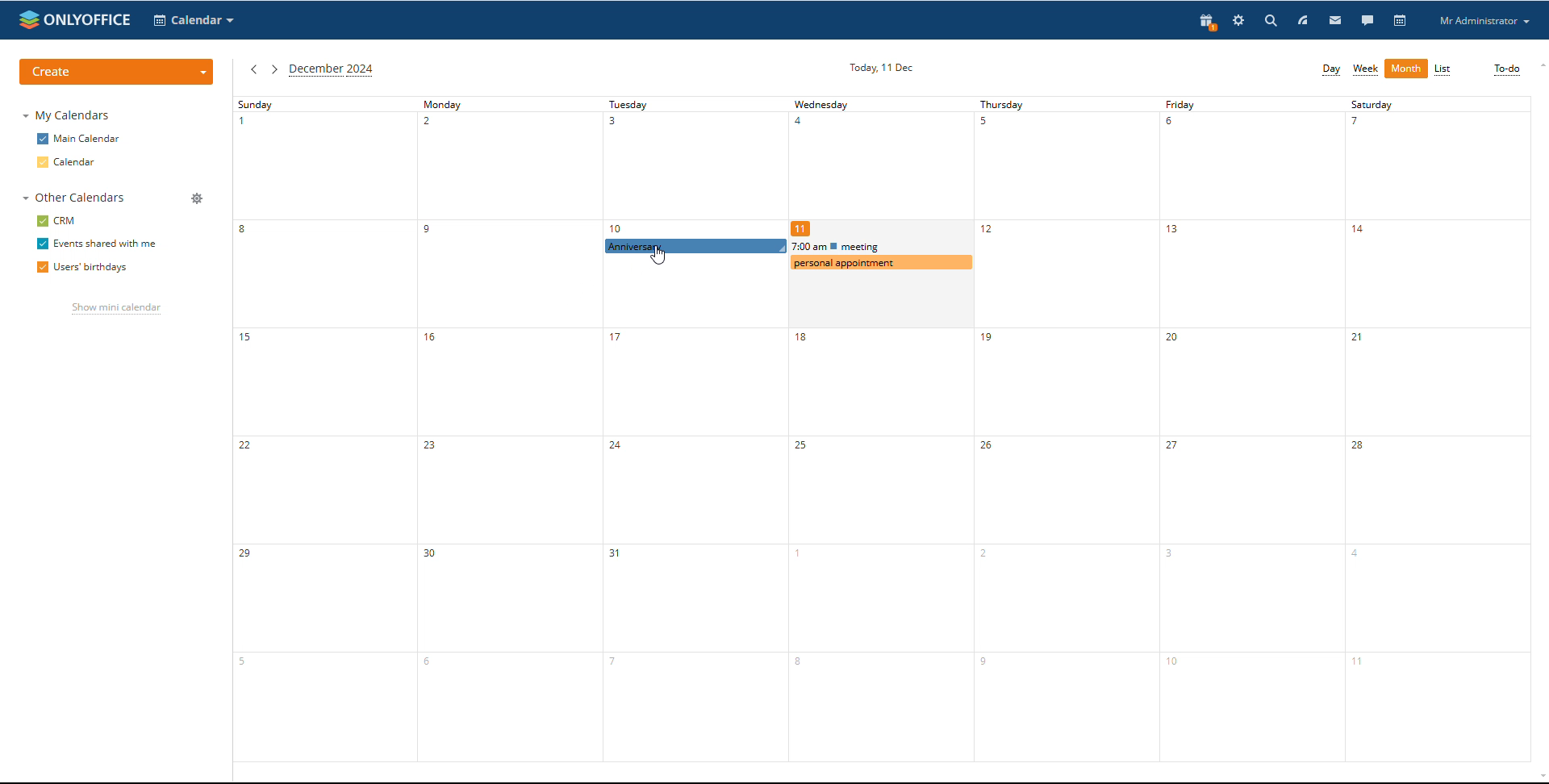 The height and width of the screenshot is (784, 1549). I want to click on cursor, so click(658, 255).